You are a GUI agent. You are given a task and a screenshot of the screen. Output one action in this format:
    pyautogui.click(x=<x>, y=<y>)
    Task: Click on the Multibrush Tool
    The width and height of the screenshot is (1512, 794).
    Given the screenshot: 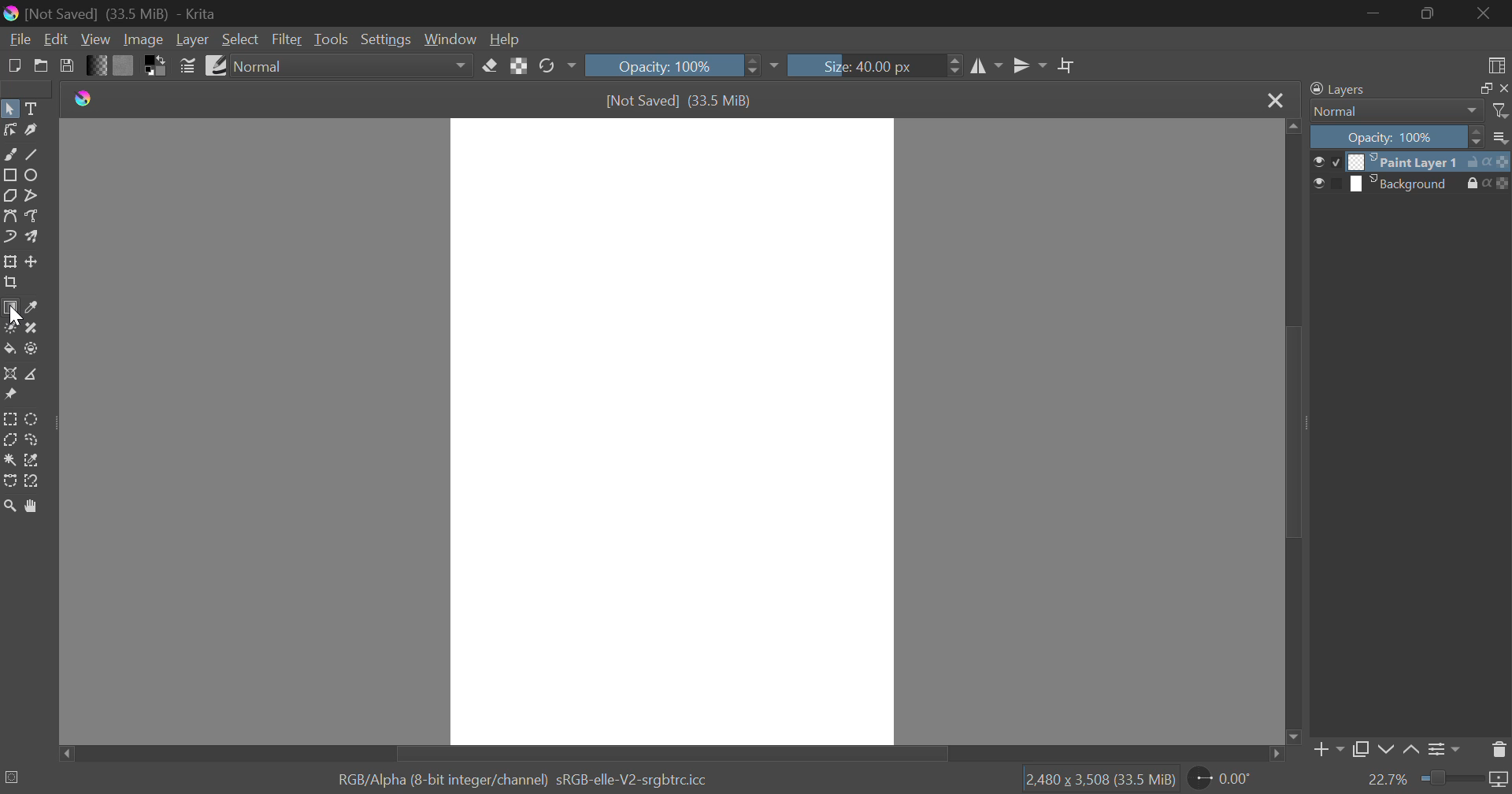 What is the action you would take?
    pyautogui.click(x=31, y=238)
    